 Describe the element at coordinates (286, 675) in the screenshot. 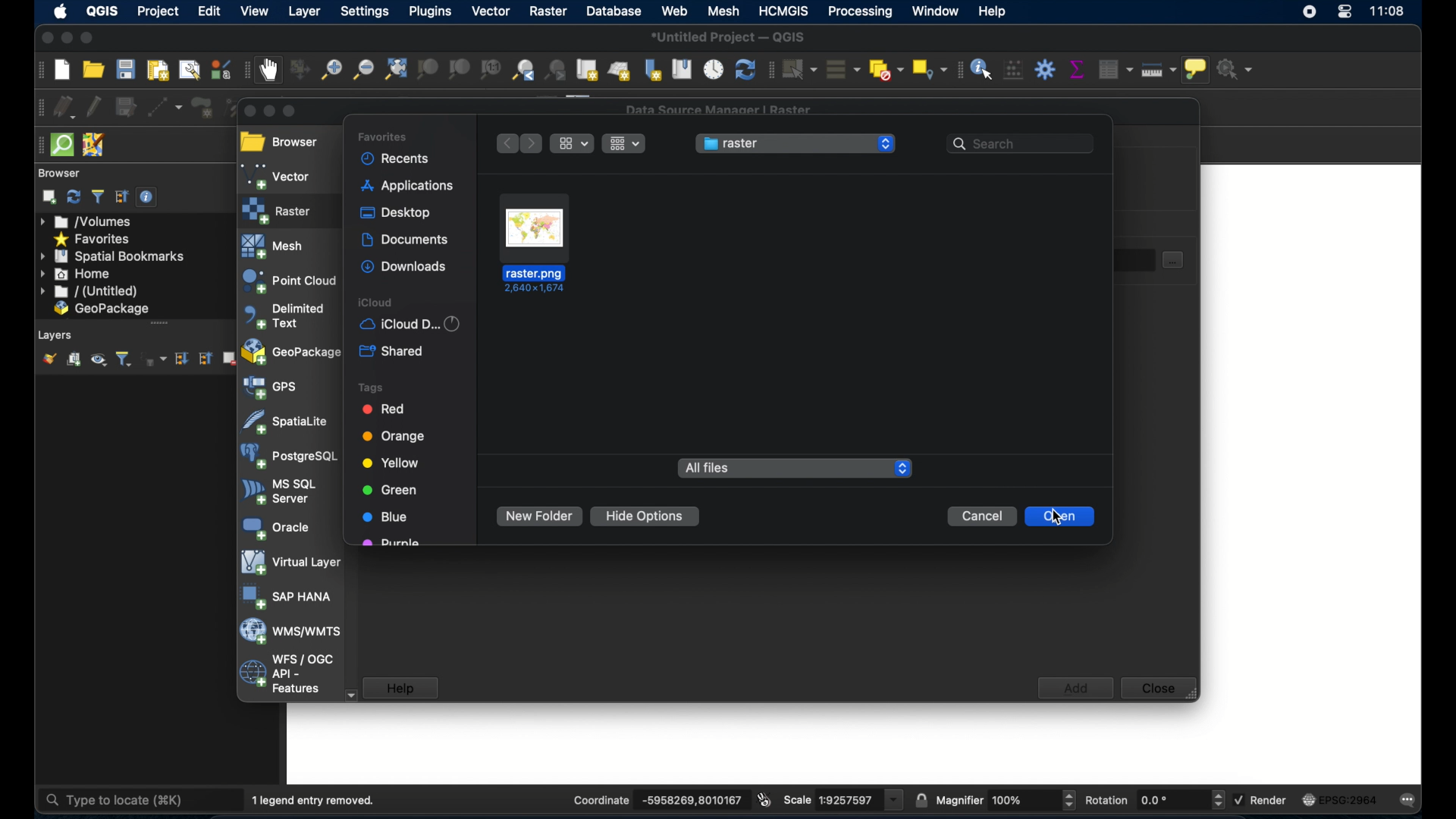

I see `wfs/ogc api - features` at that location.